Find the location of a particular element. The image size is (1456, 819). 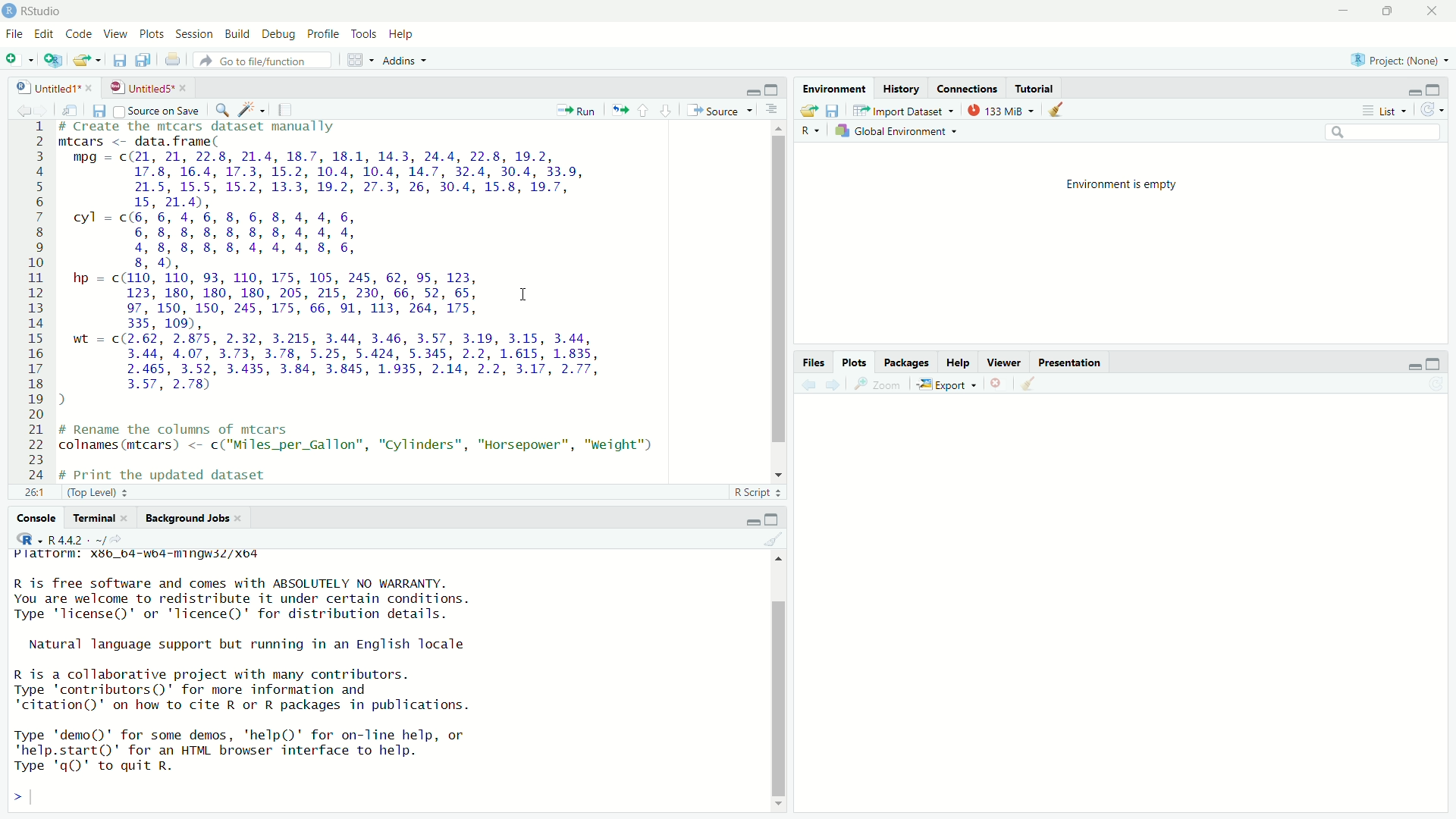

® Source ~ is located at coordinates (723, 109).